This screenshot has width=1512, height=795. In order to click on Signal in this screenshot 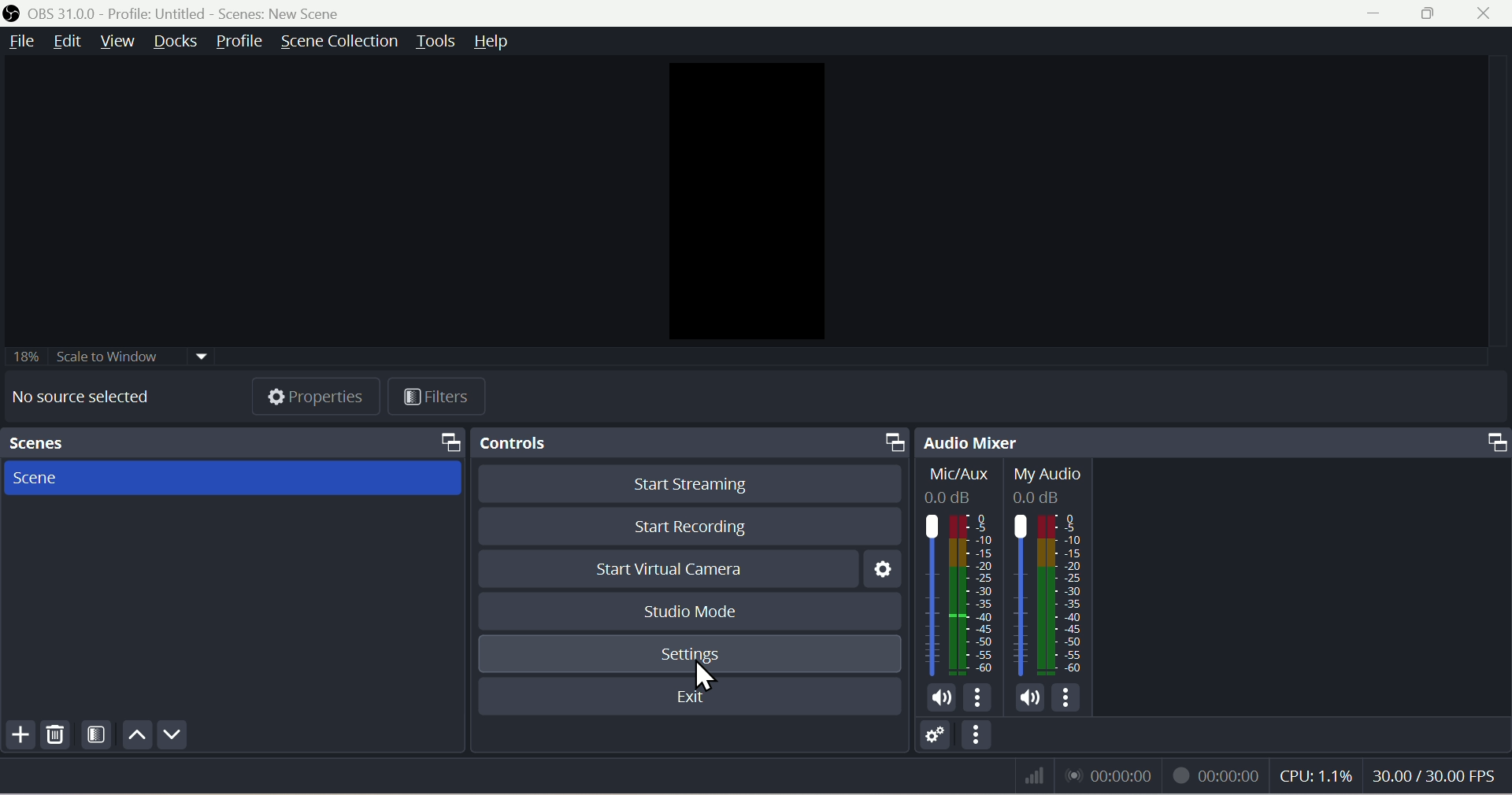, I will do `click(1029, 775)`.